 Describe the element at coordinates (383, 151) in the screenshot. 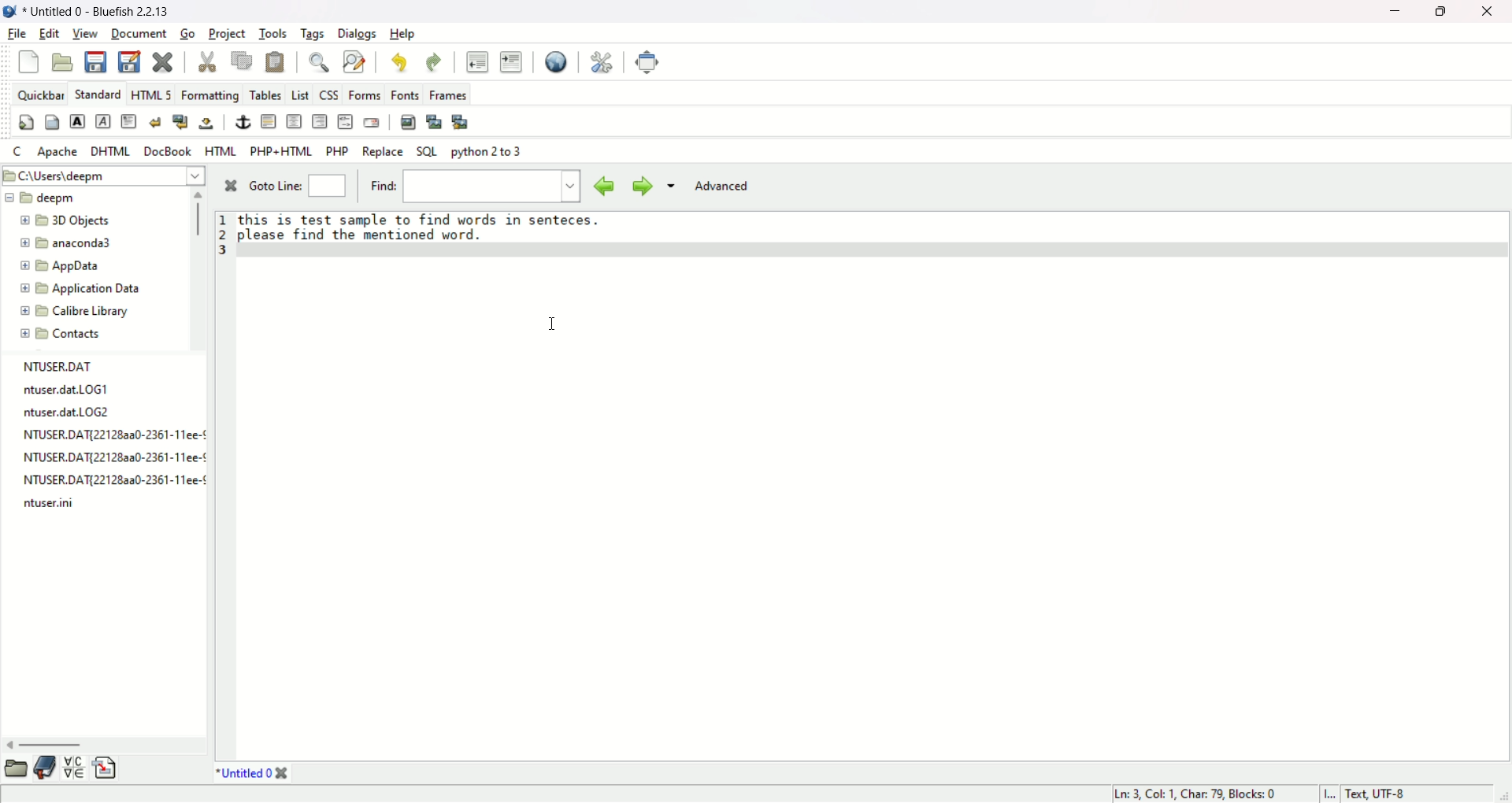

I see `REPLACE` at that location.